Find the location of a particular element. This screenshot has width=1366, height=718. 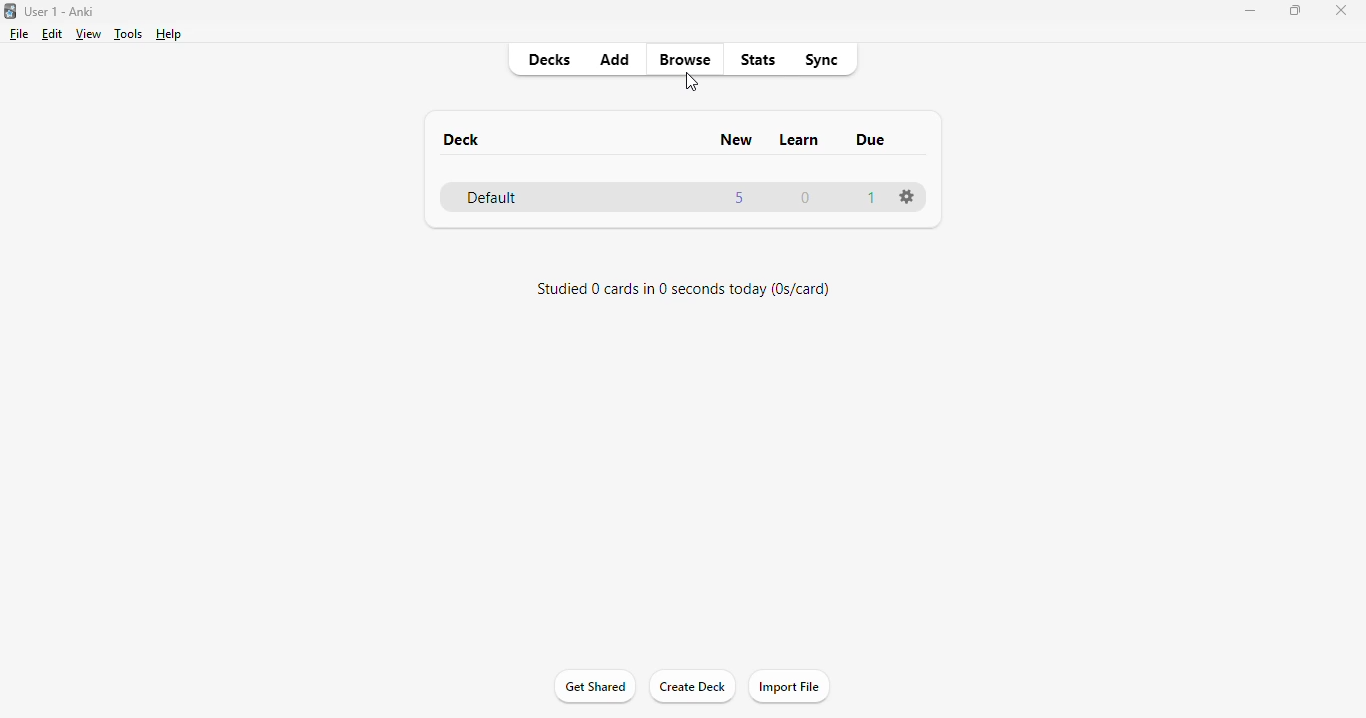

studied 0 cards in 0 seconds today (0s/card) is located at coordinates (682, 289).